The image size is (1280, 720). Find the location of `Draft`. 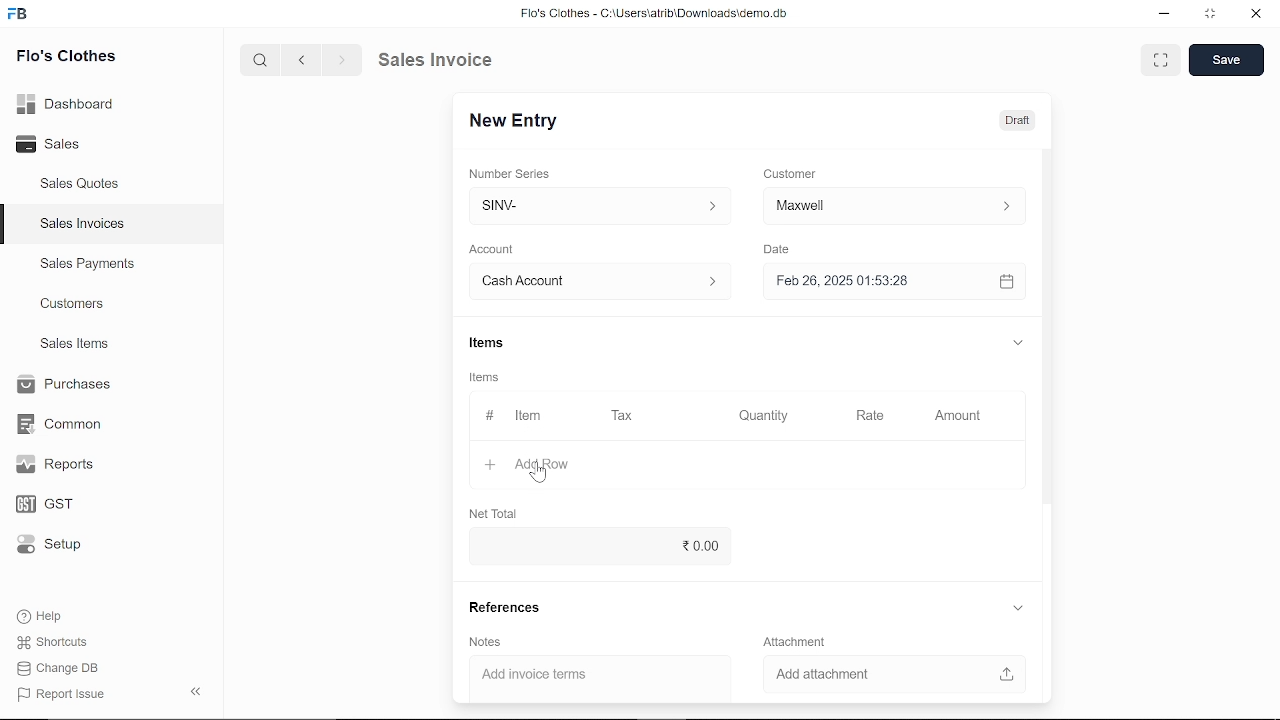

Draft is located at coordinates (1006, 119).